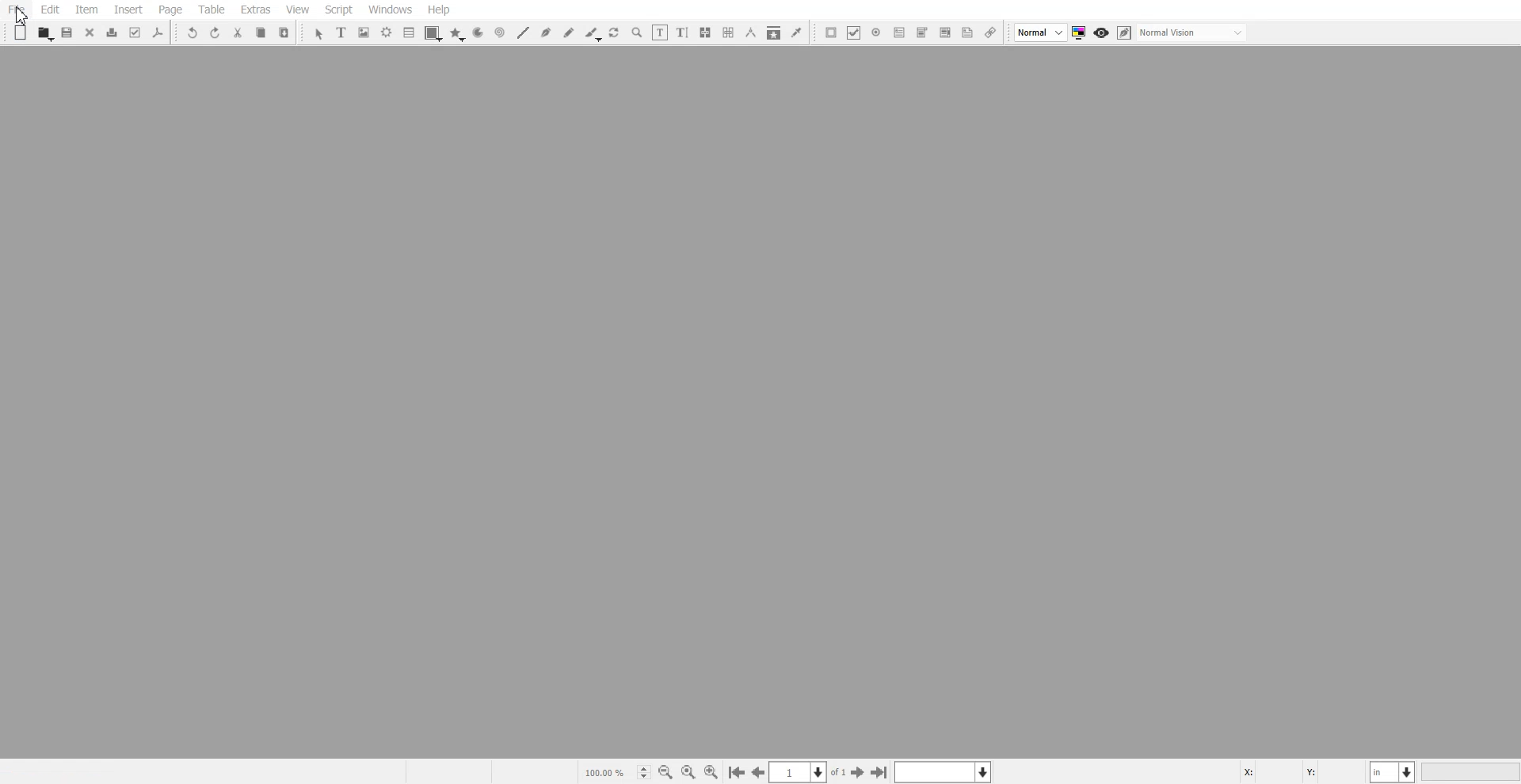 This screenshot has height=784, width=1521. What do you see at coordinates (831, 32) in the screenshot?
I see `PDF Push button` at bounding box center [831, 32].